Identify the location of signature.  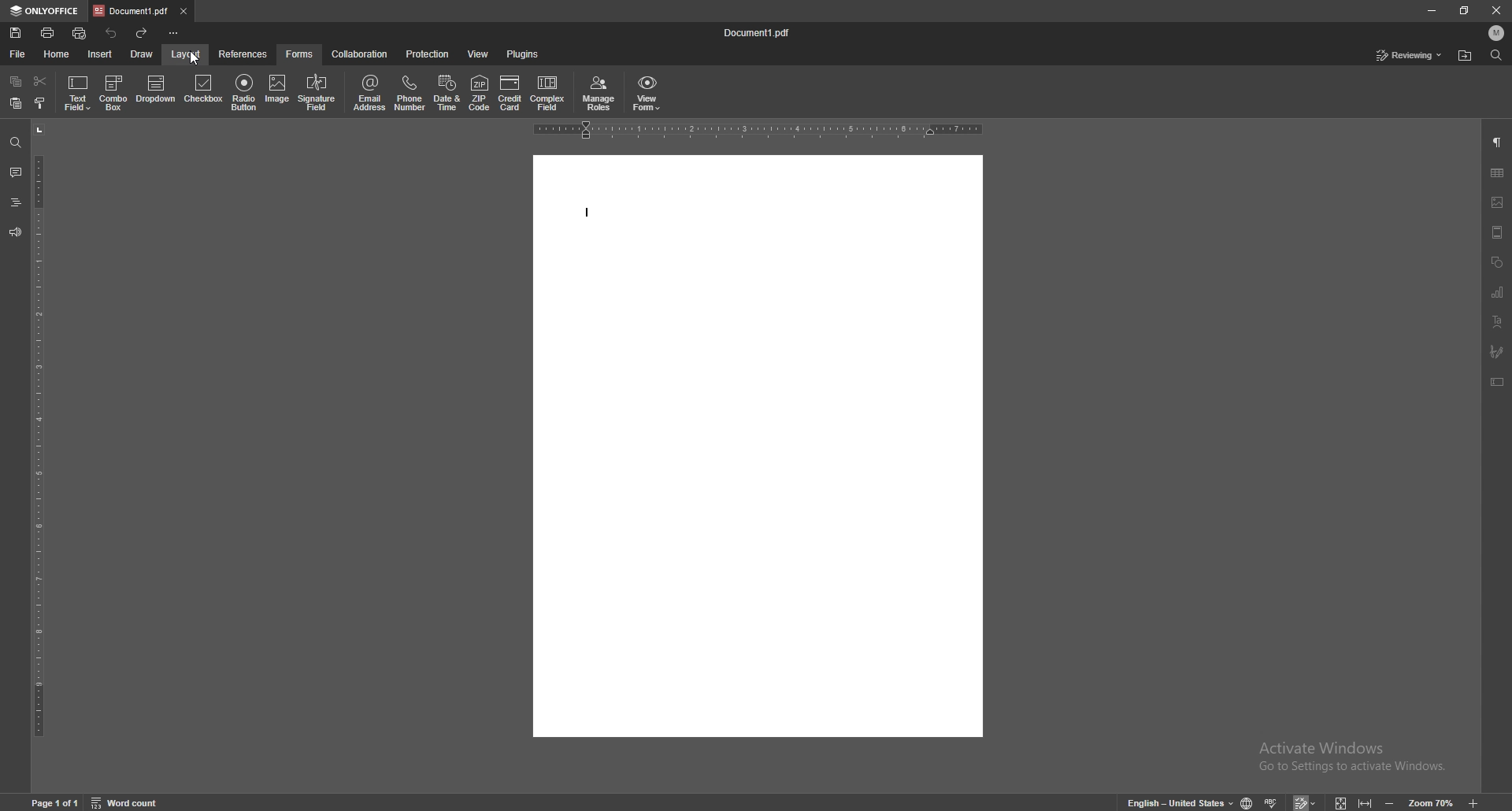
(1494, 350).